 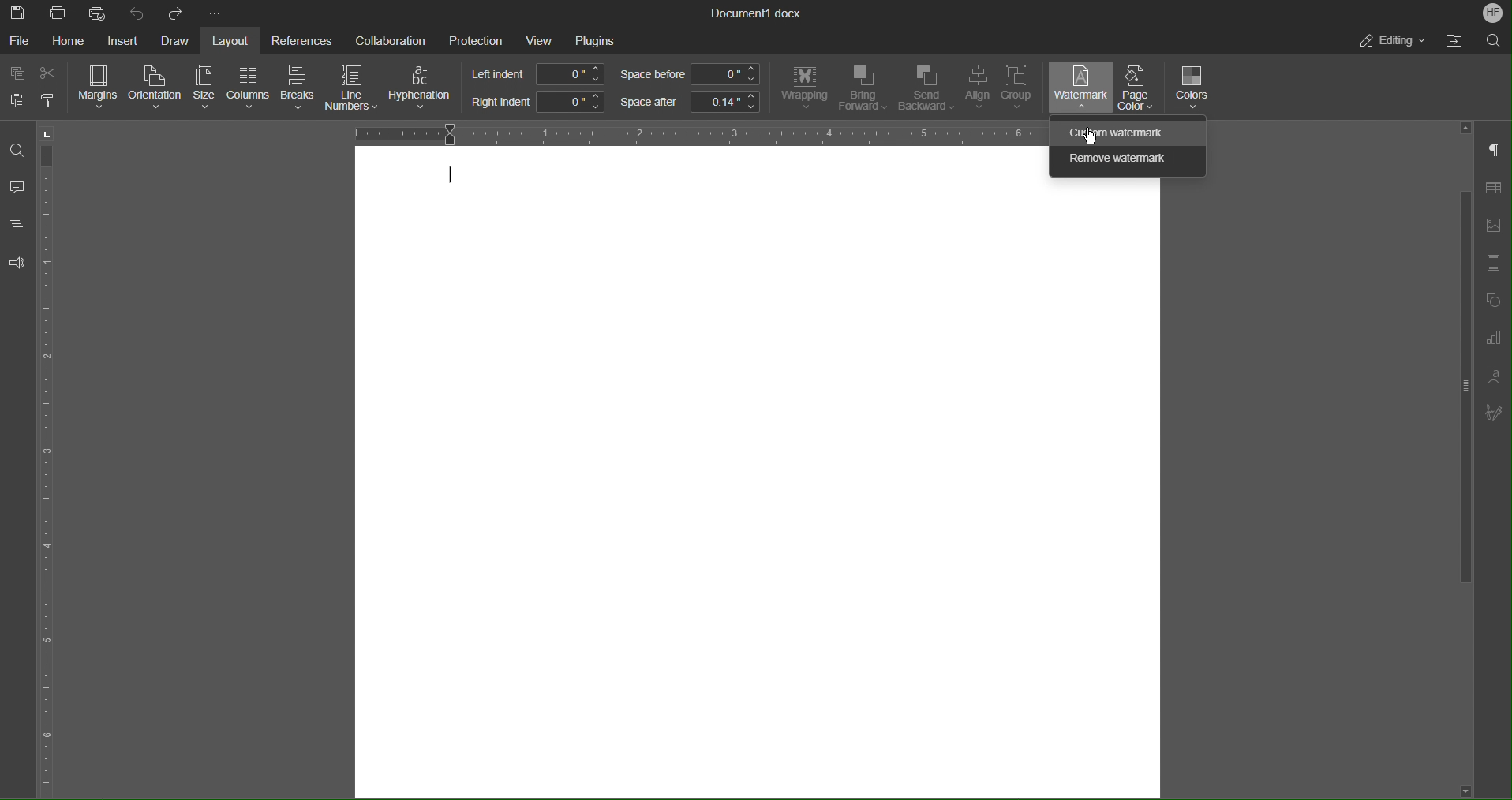 I want to click on Colors, so click(x=1194, y=88).